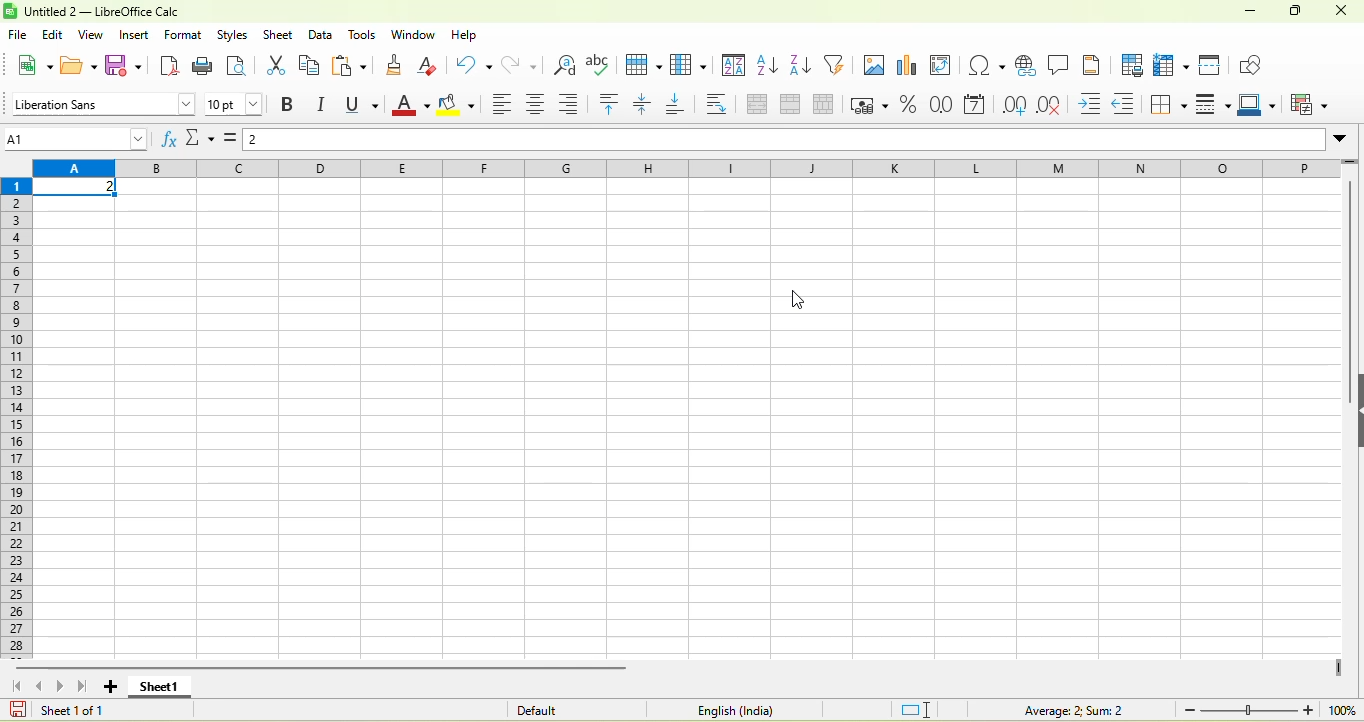  I want to click on sheet 1, so click(163, 686).